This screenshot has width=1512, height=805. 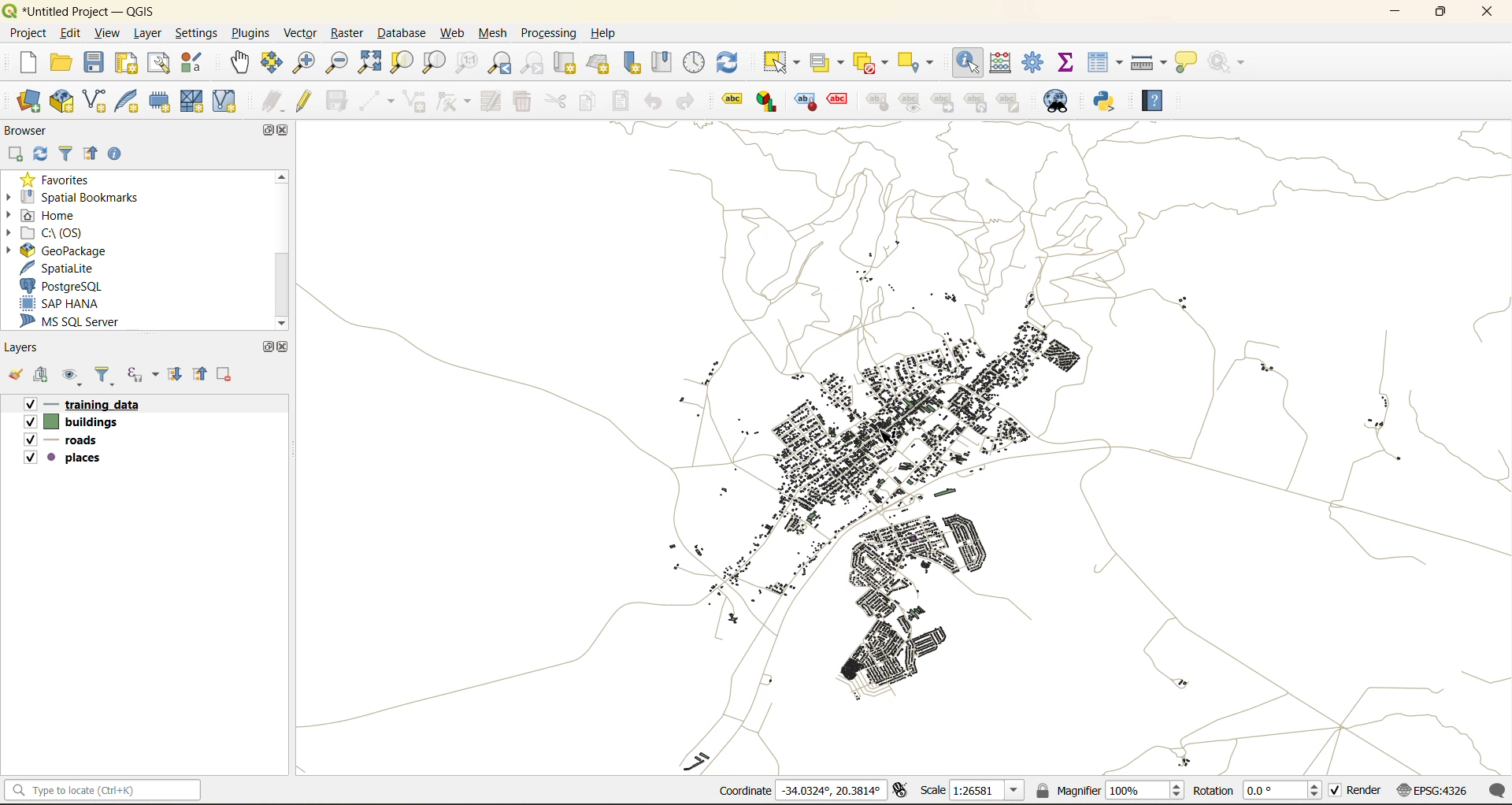 What do you see at coordinates (502, 64) in the screenshot?
I see `zoom last` at bounding box center [502, 64].